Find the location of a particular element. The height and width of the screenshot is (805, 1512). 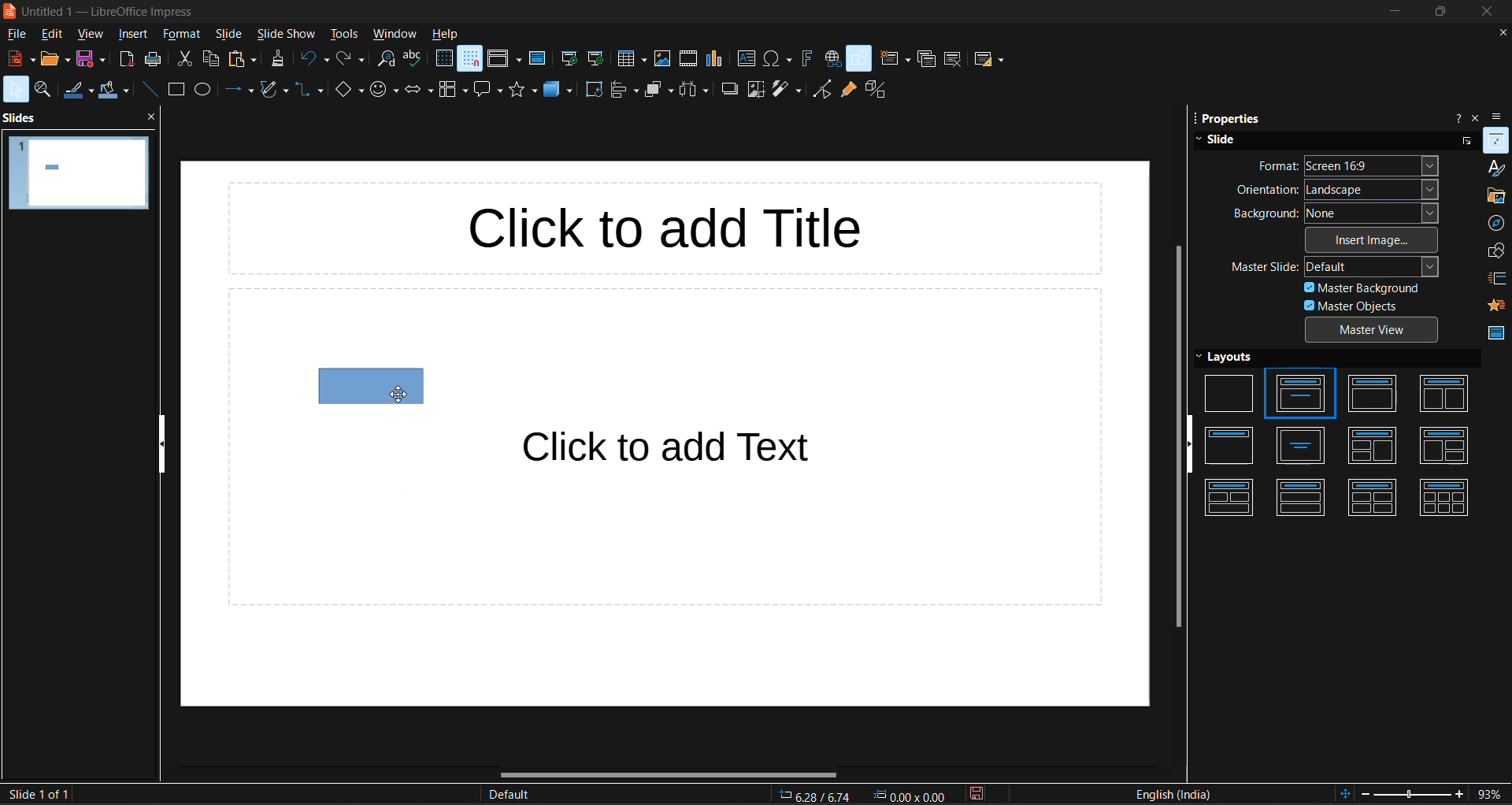

basic shapes is located at coordinates (346, 91).